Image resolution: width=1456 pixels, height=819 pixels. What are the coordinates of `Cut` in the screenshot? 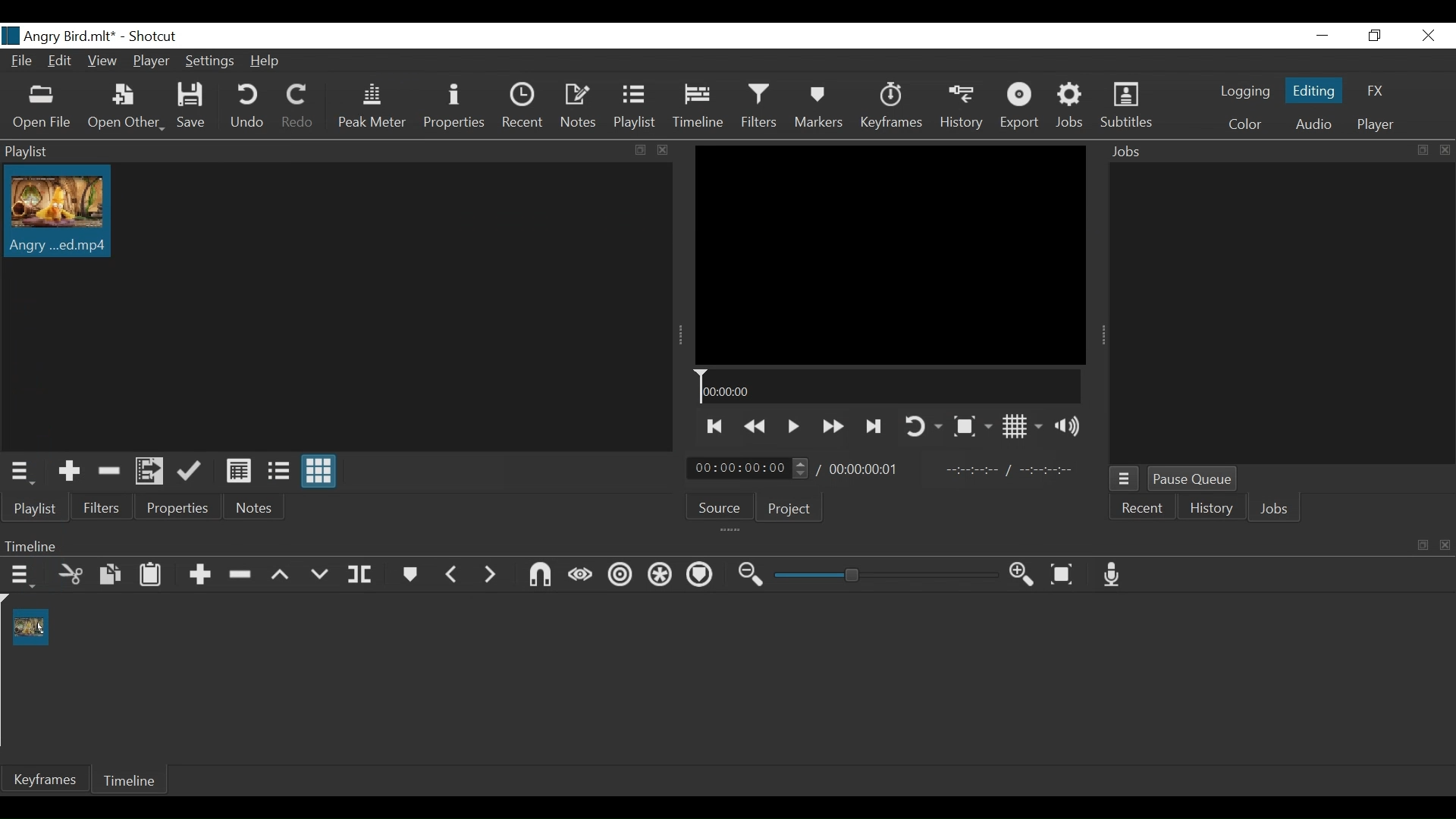 It's located at (71, 575).